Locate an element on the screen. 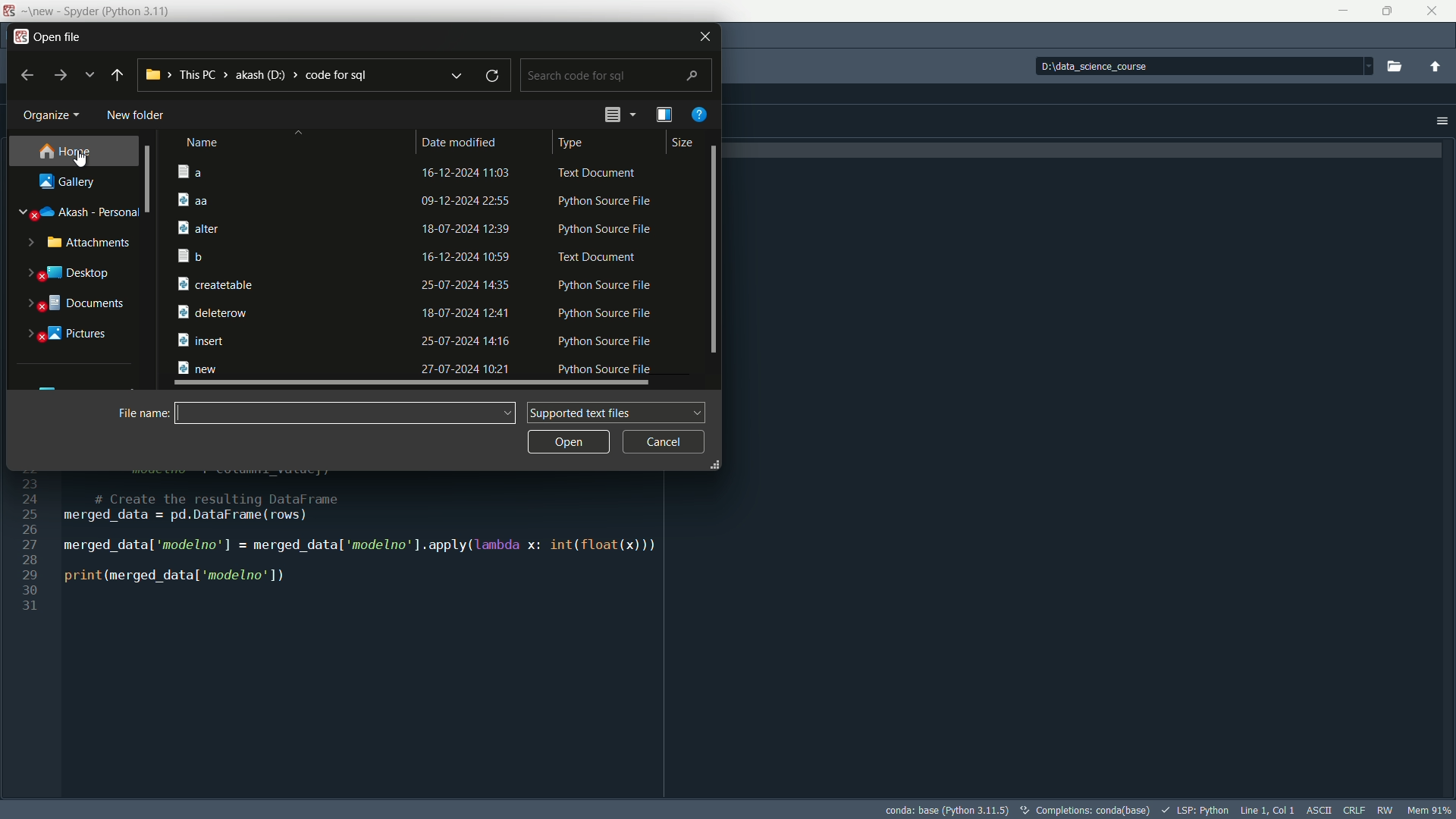 Image resolution: width=1456 pixels, height=819 pixels. lps:python is located at coordinates (1194, 810).